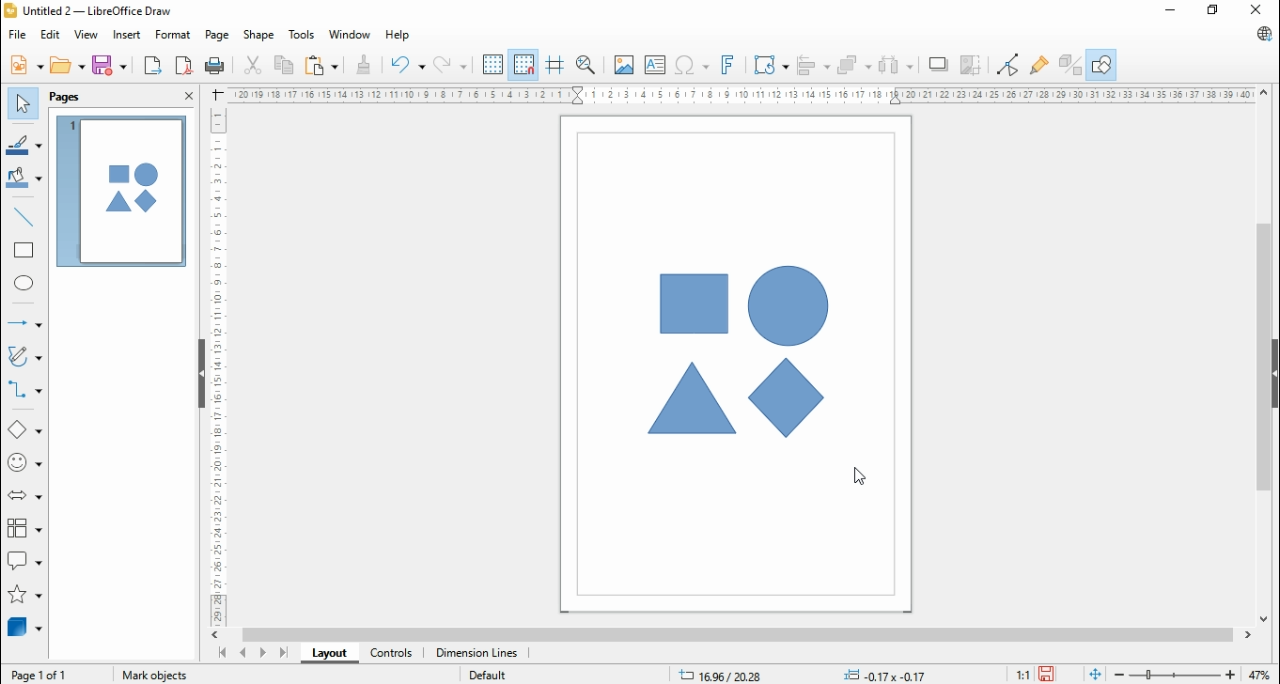 The height and width of the screenshot is (684, 1280). I want to click on symbol shapes, so click(27, 462).